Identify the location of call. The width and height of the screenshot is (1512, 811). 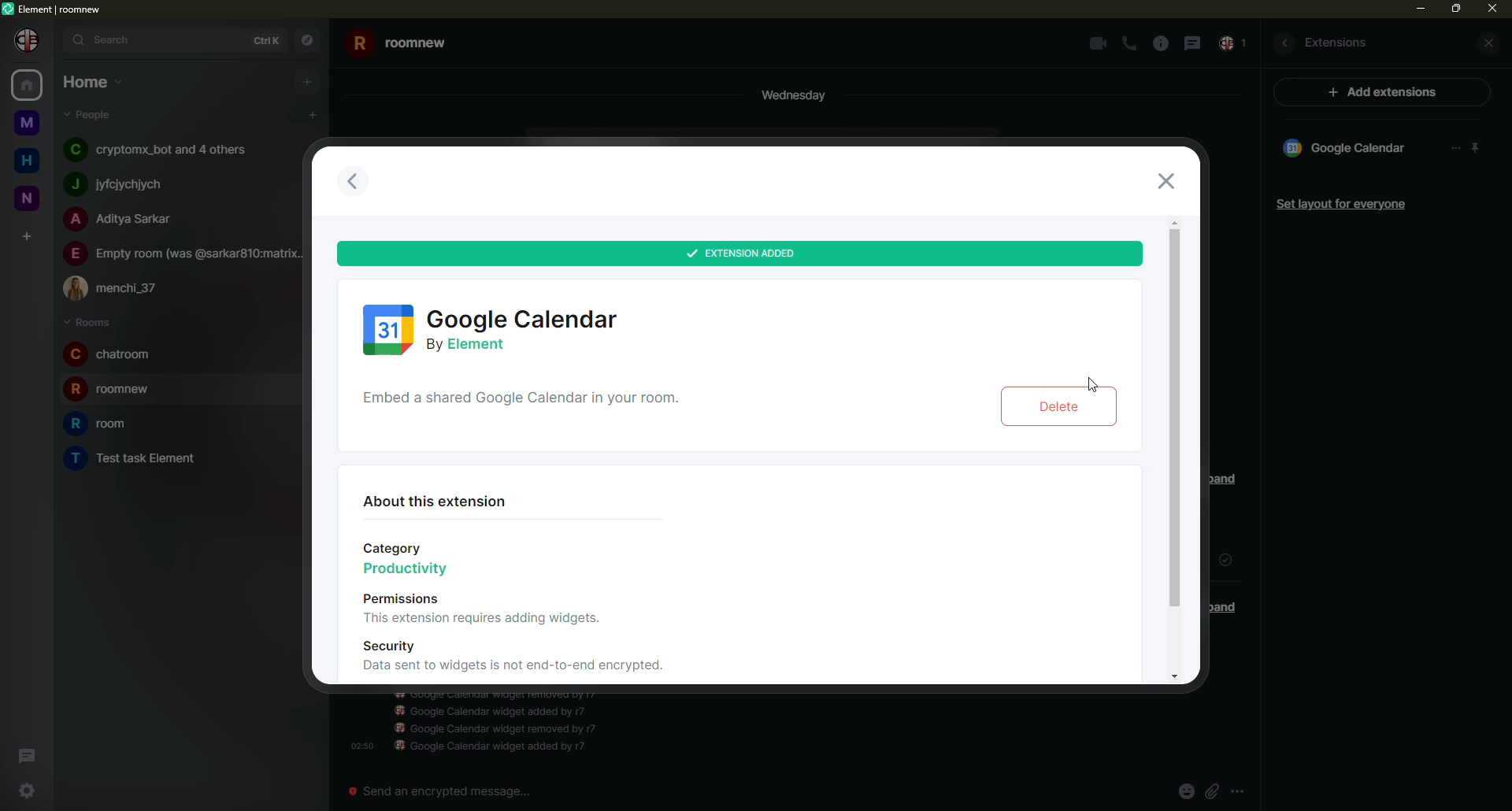
(1130, 44).